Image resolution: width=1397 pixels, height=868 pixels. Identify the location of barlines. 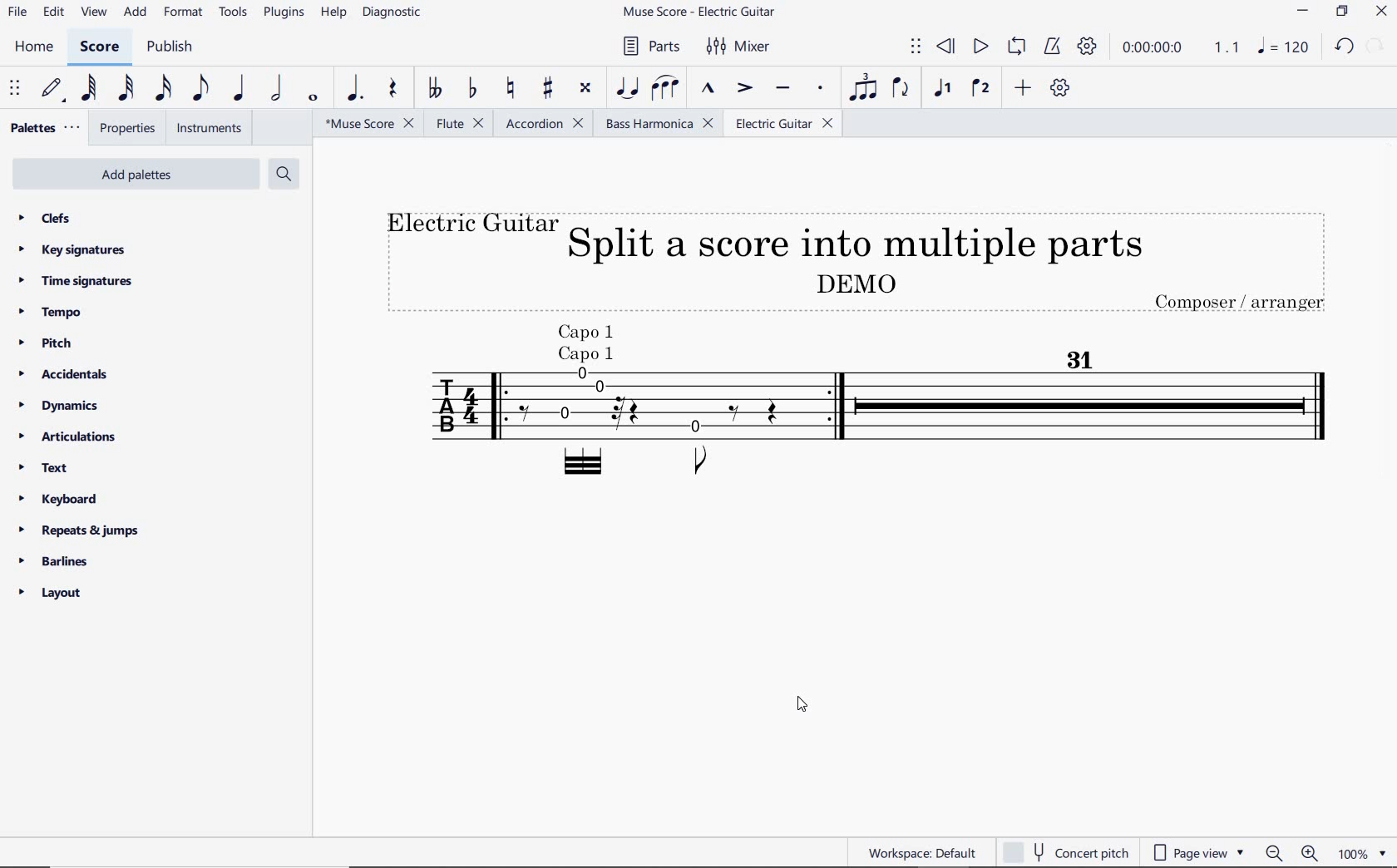
(58, 561).